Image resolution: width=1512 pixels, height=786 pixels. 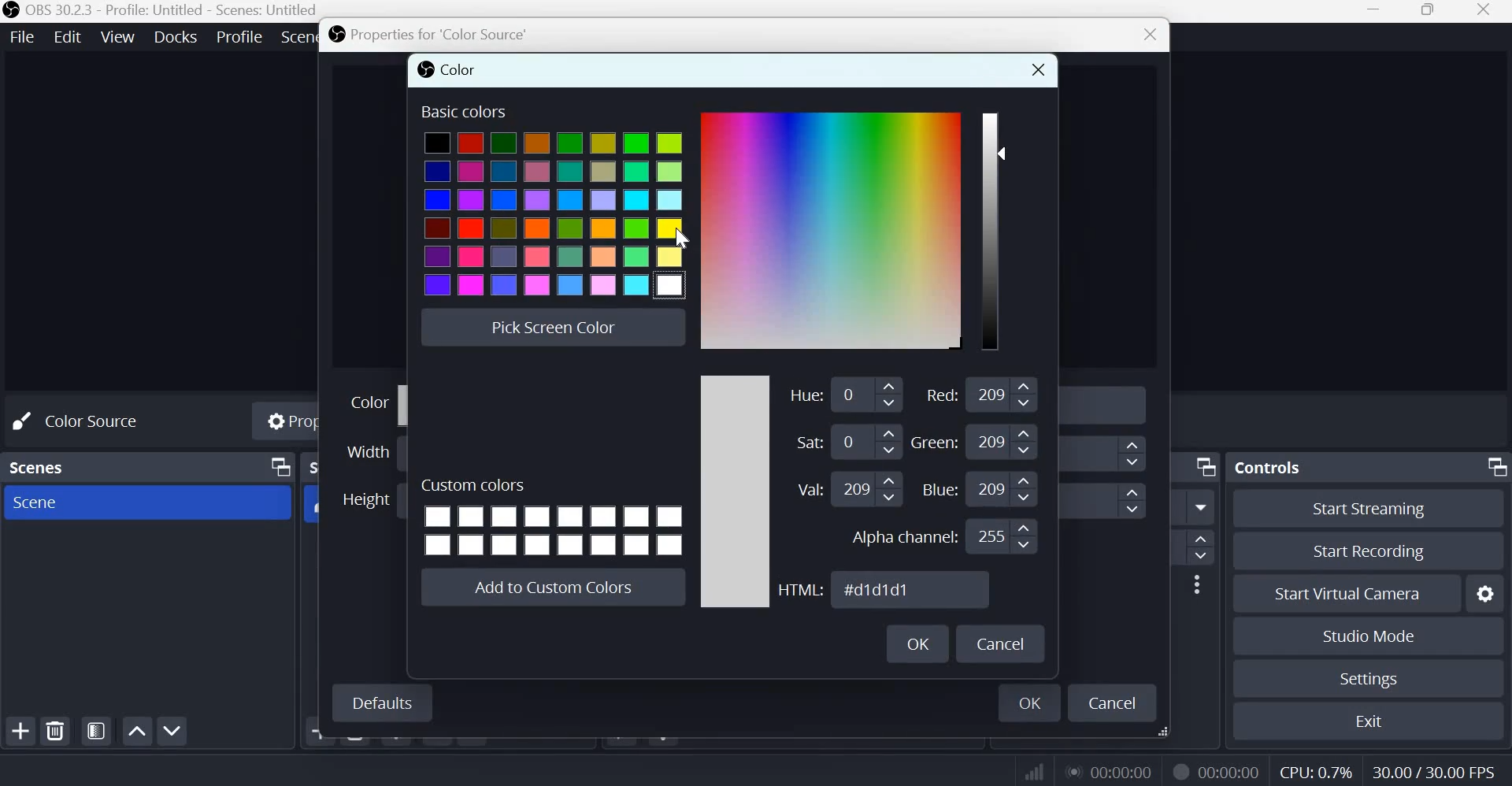 I want to click on Studio mode, so click(x=1366, y=636).